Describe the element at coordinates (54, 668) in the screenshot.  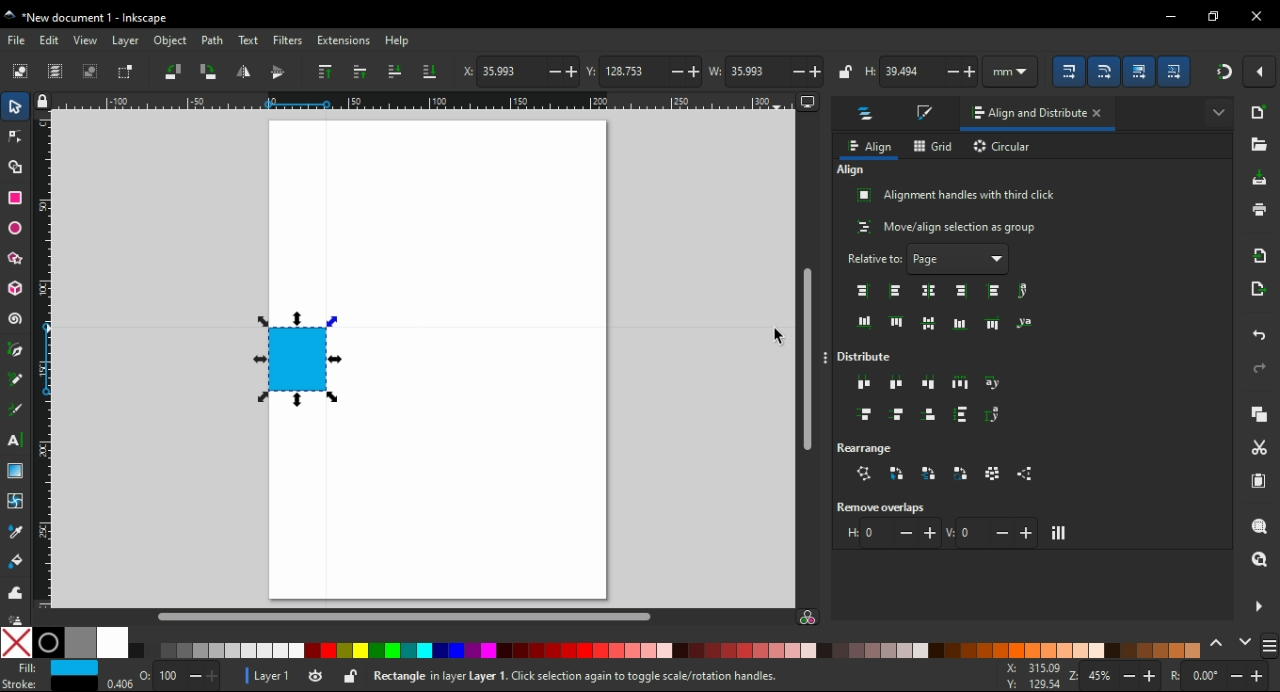
I see `fill color` at that location.